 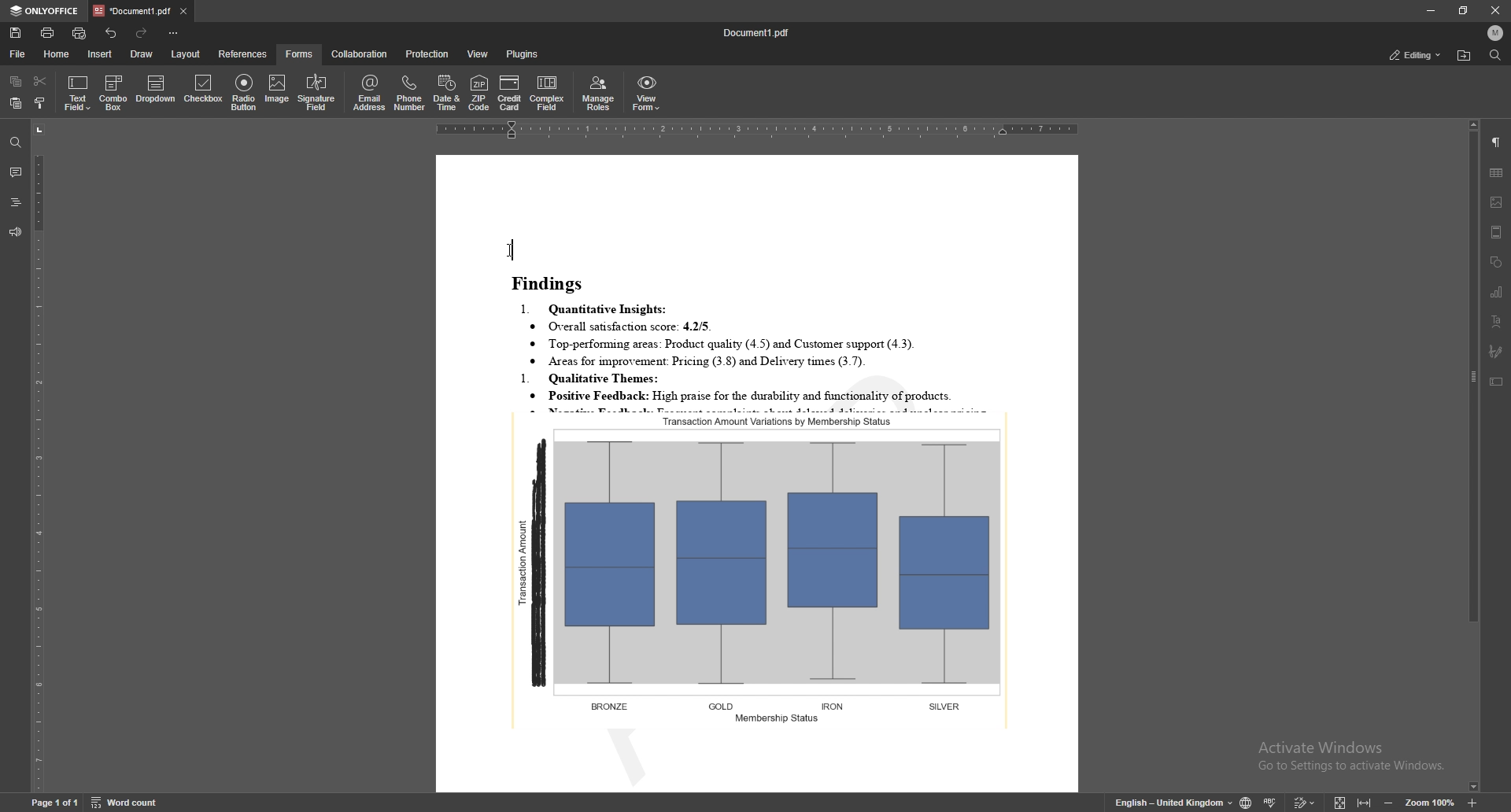 What do you see at coordinates (1429, 10) in the screenshot?
I see `minimize` at bounding box center [1429, 10].